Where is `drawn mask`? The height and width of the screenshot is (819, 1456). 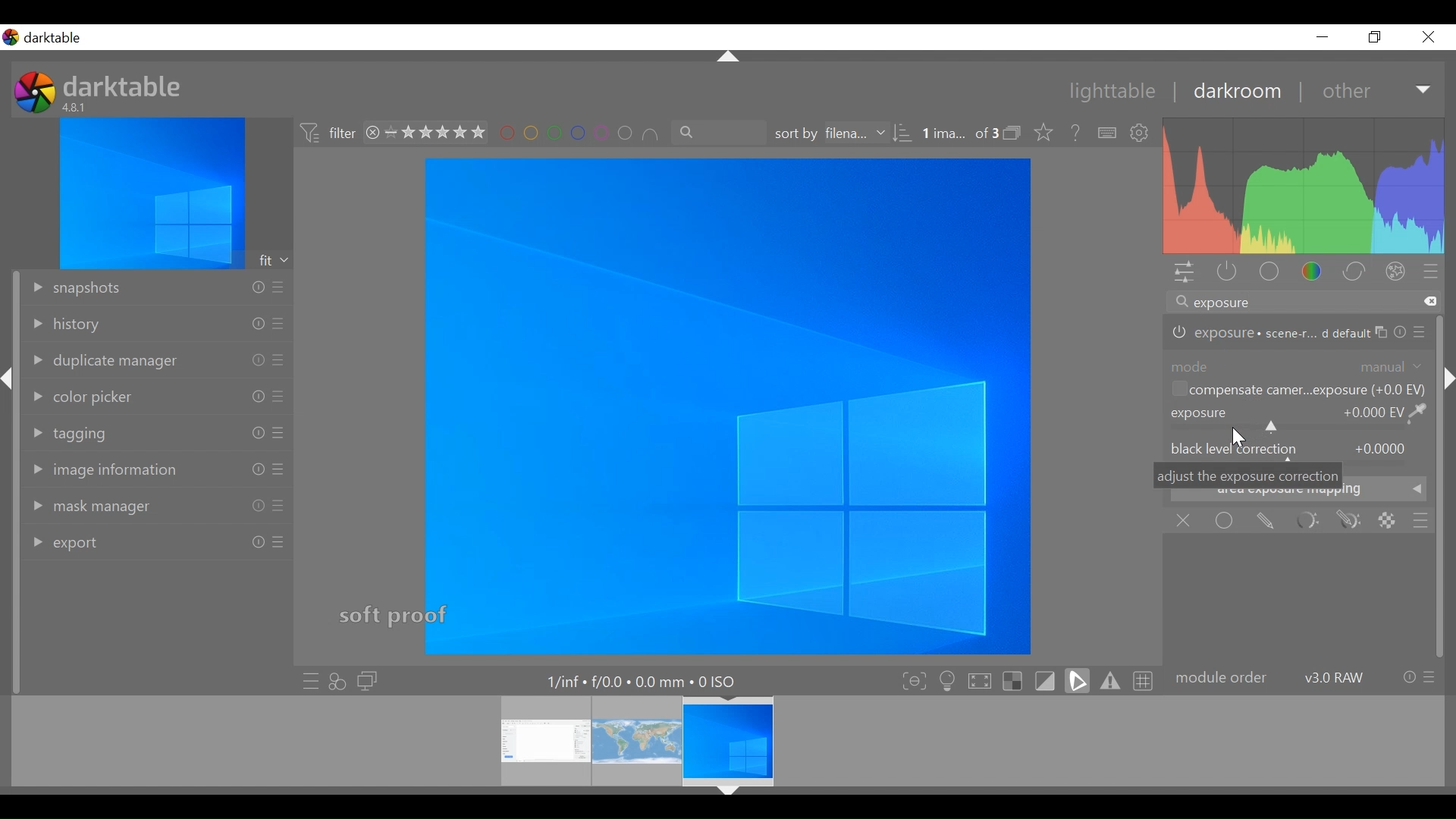
drawn mask is located at coordinates (1266, 522).